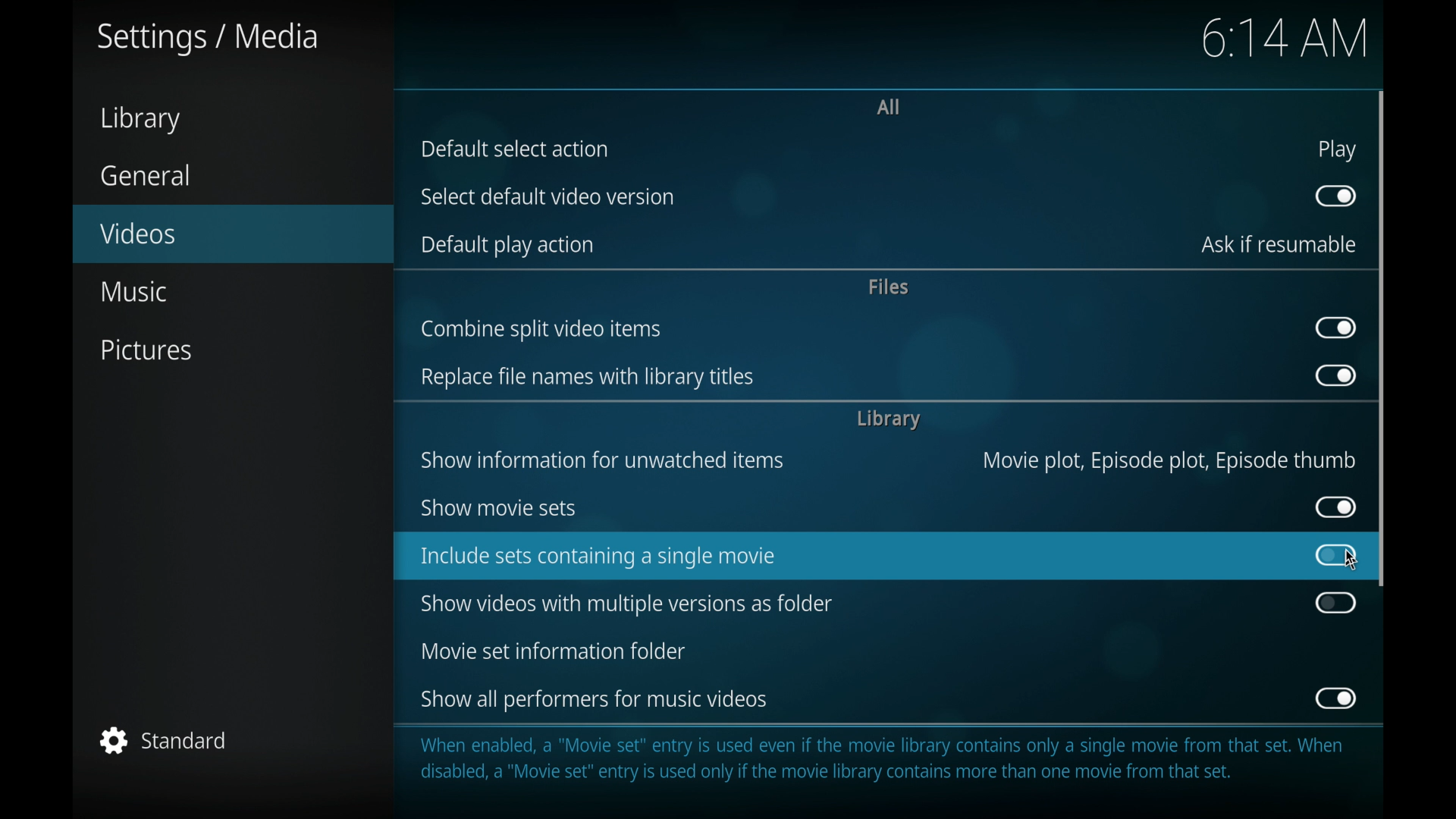 This screenshot has height=819, width=1456. What do you see at coordinates (888, 419) in the screenshot?
I see `library` at bounding box center [888, 419].